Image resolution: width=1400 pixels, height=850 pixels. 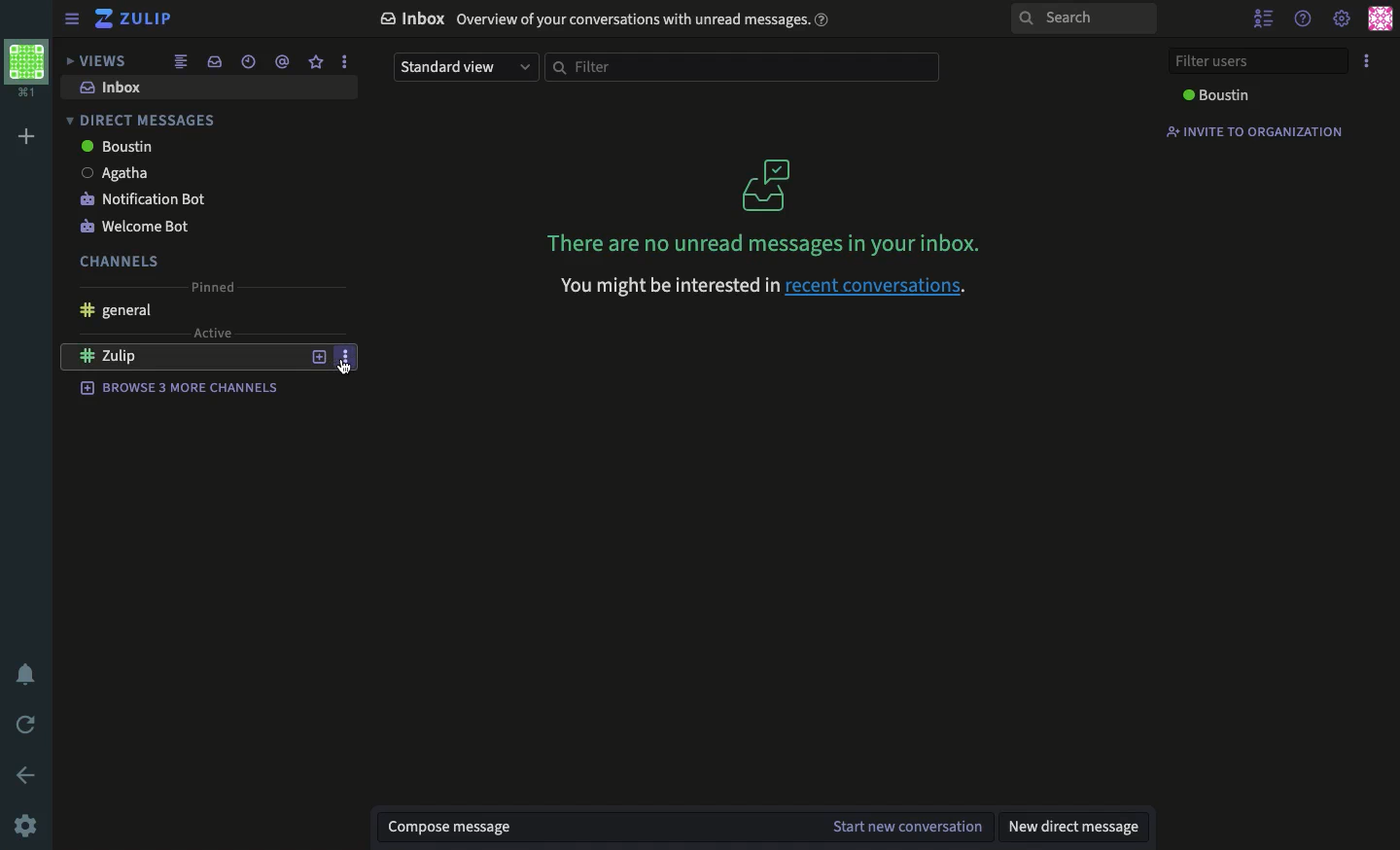 What do you see at coordinates (30, 726) in the screenshot?
I see `refresh` at bounding box center [30, 726].